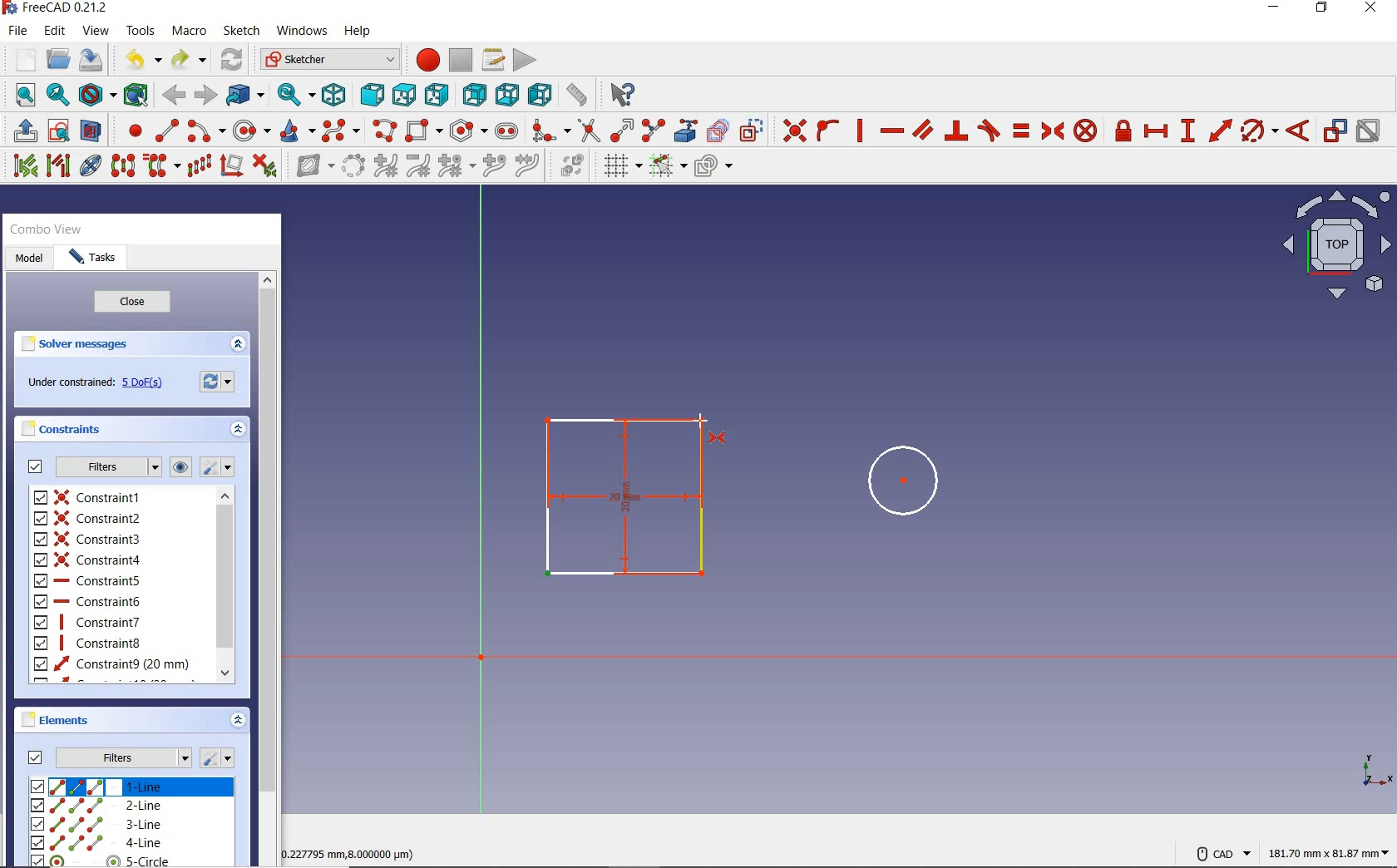  Describe the element at coordinates (224, 499) in the screenshot. I see `Scroll up` at that location.